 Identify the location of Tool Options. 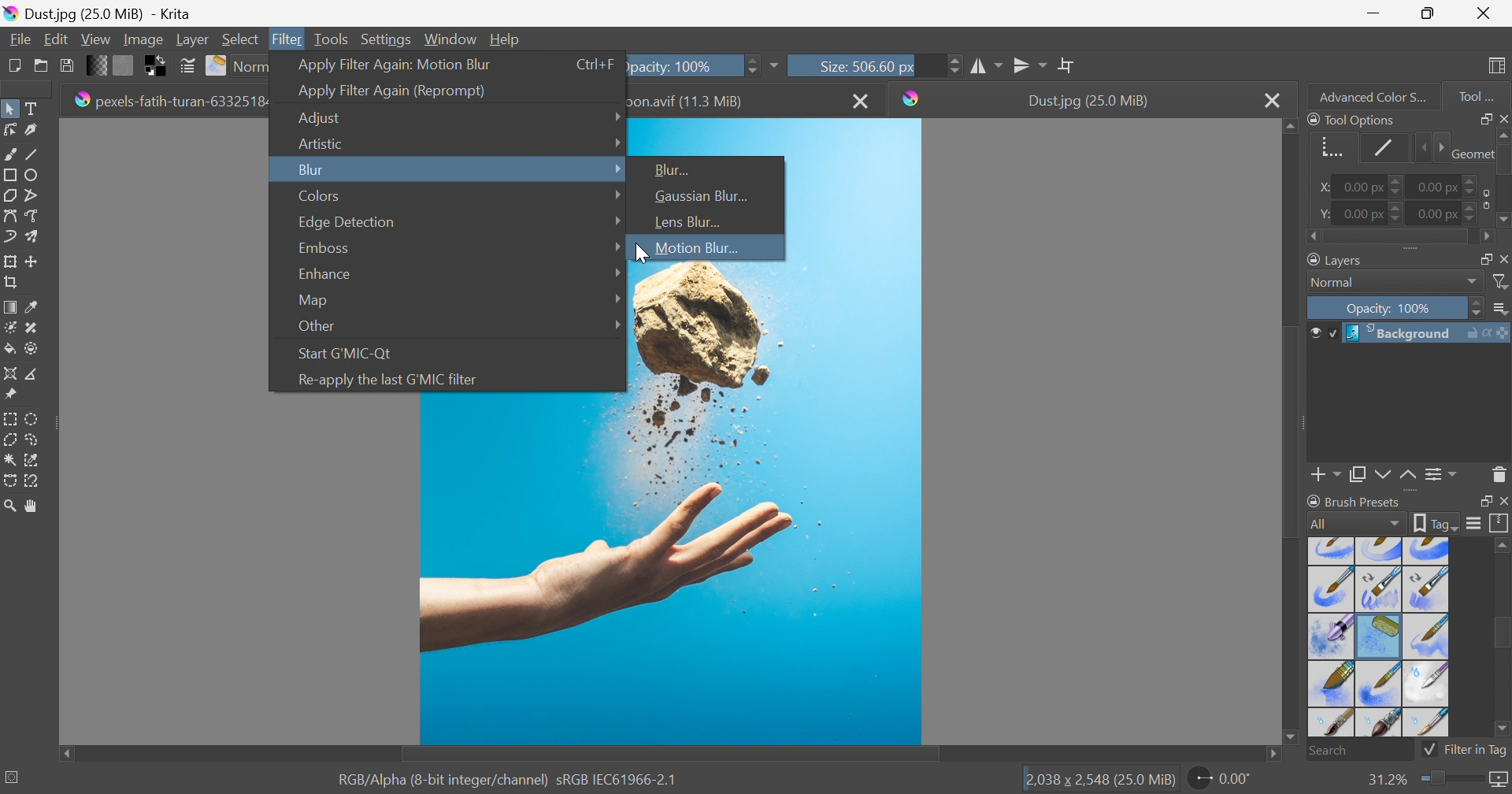
(1351, 119).